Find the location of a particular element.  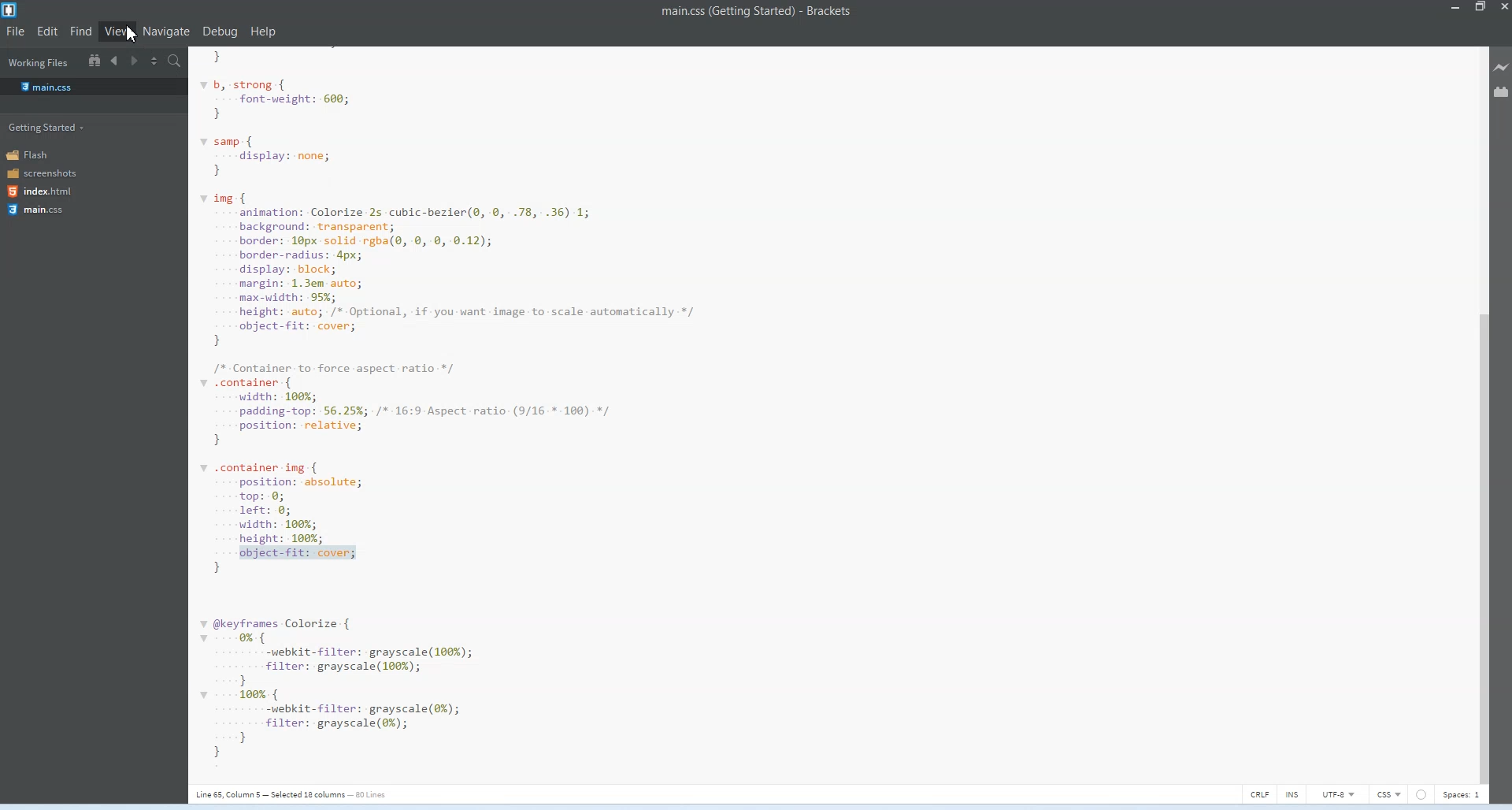

main.css is located at coordinates (46, 86).